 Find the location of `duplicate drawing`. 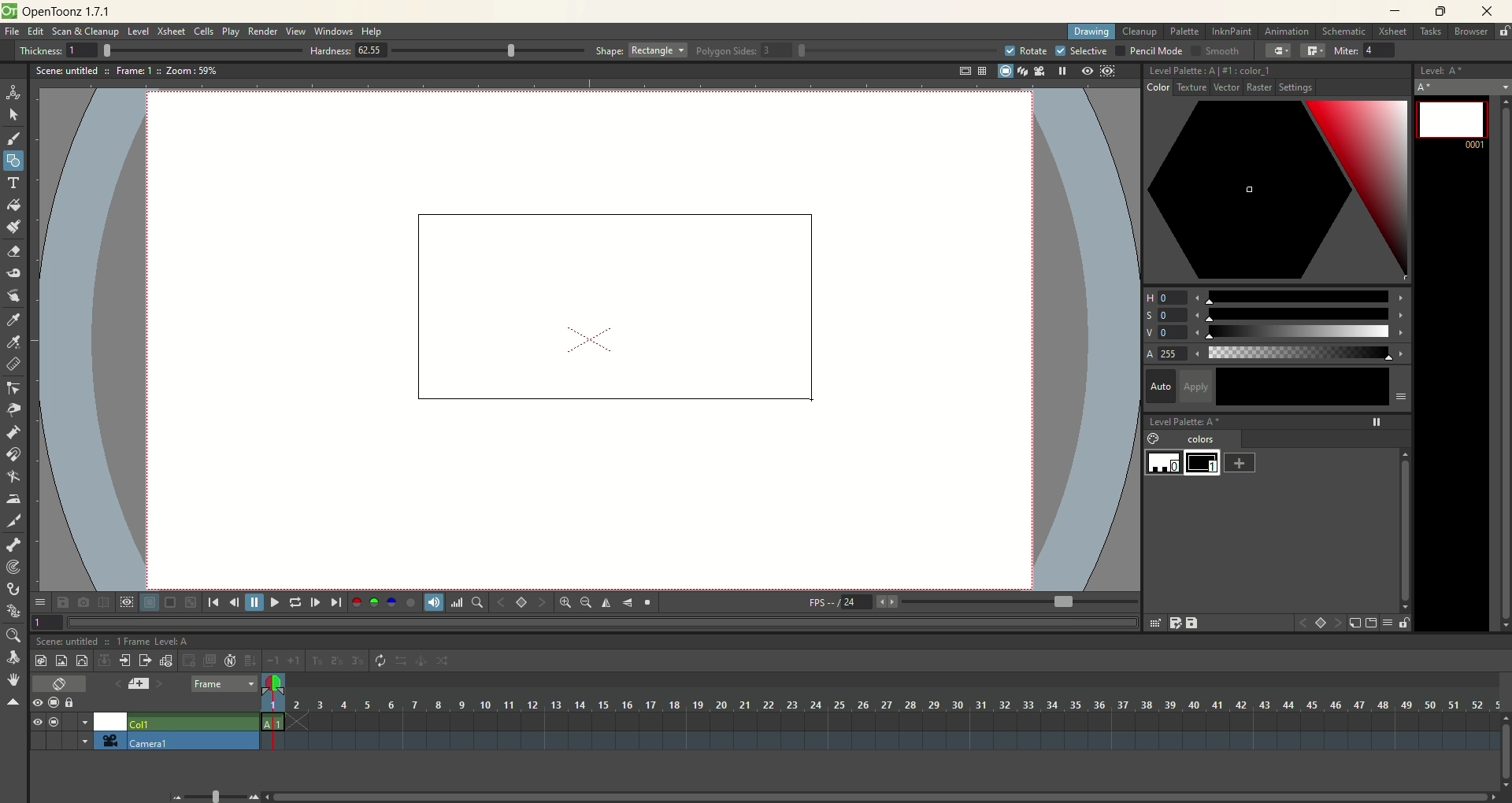

duplicate drawing is located at coordinates (210, 661).